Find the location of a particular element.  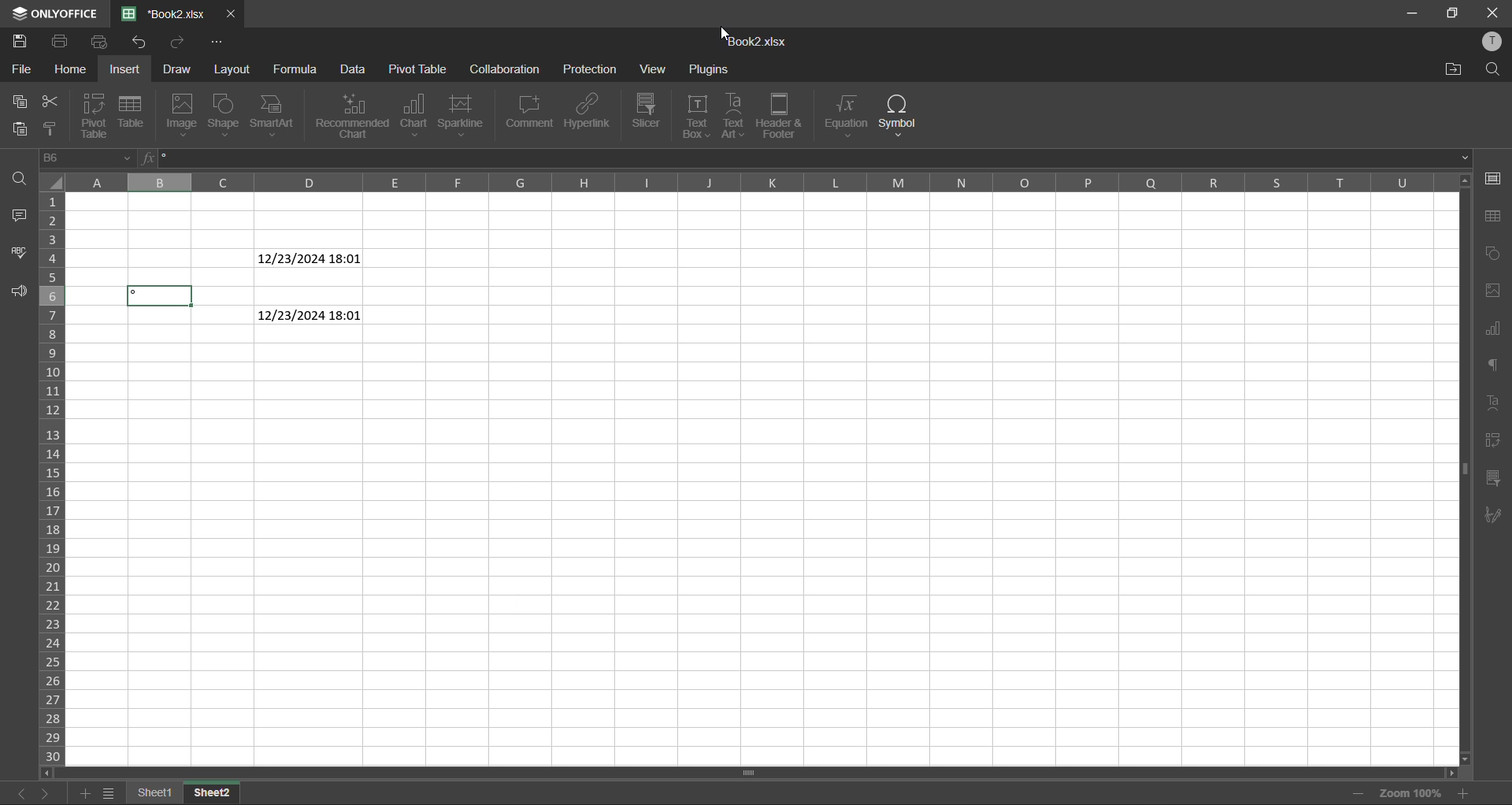

scrollbar is located at coordinates (756, 773).